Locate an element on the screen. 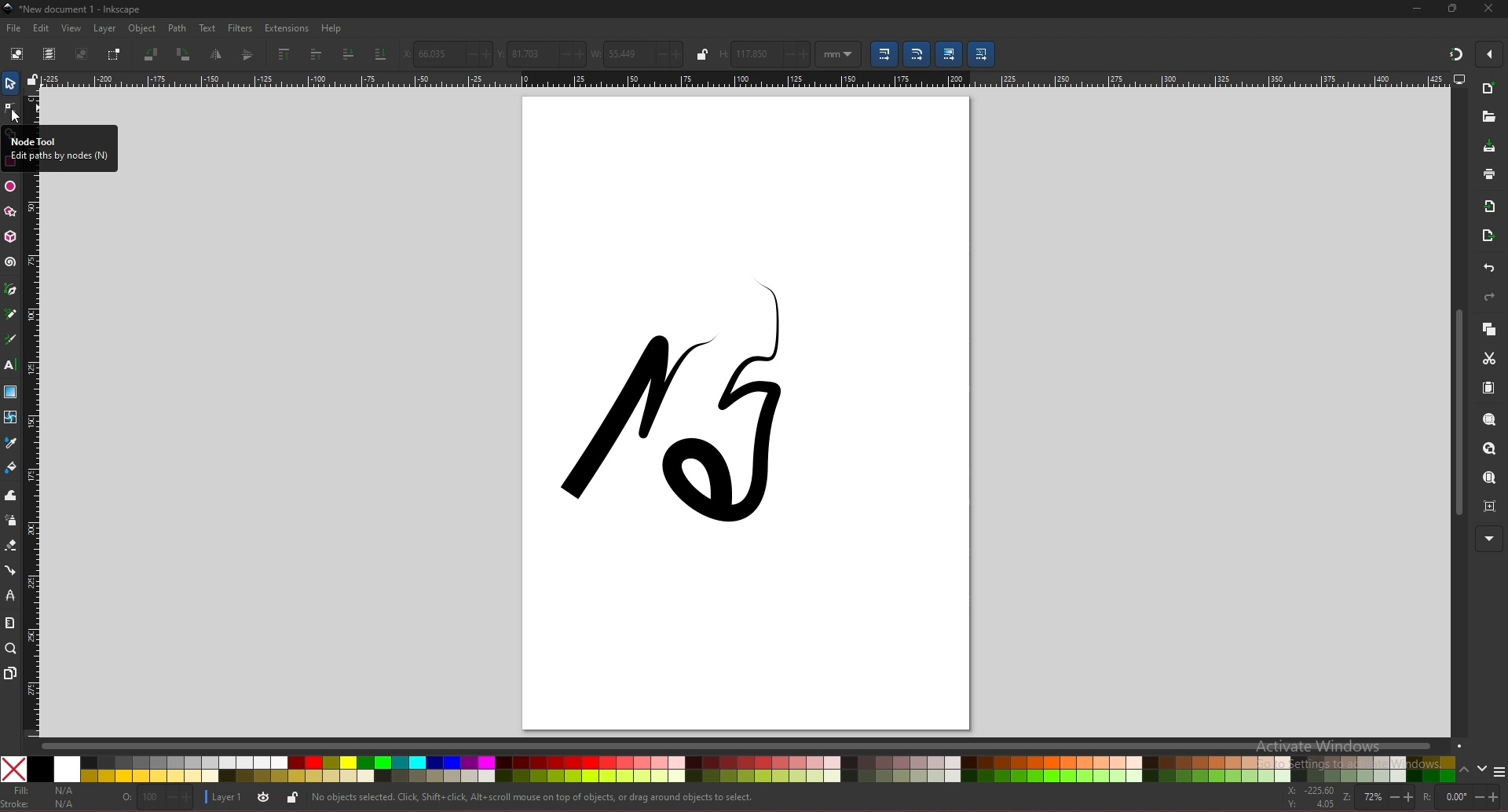 The width and height of the screenshot is (1508, 812). height is located at coordinates (763, 53).